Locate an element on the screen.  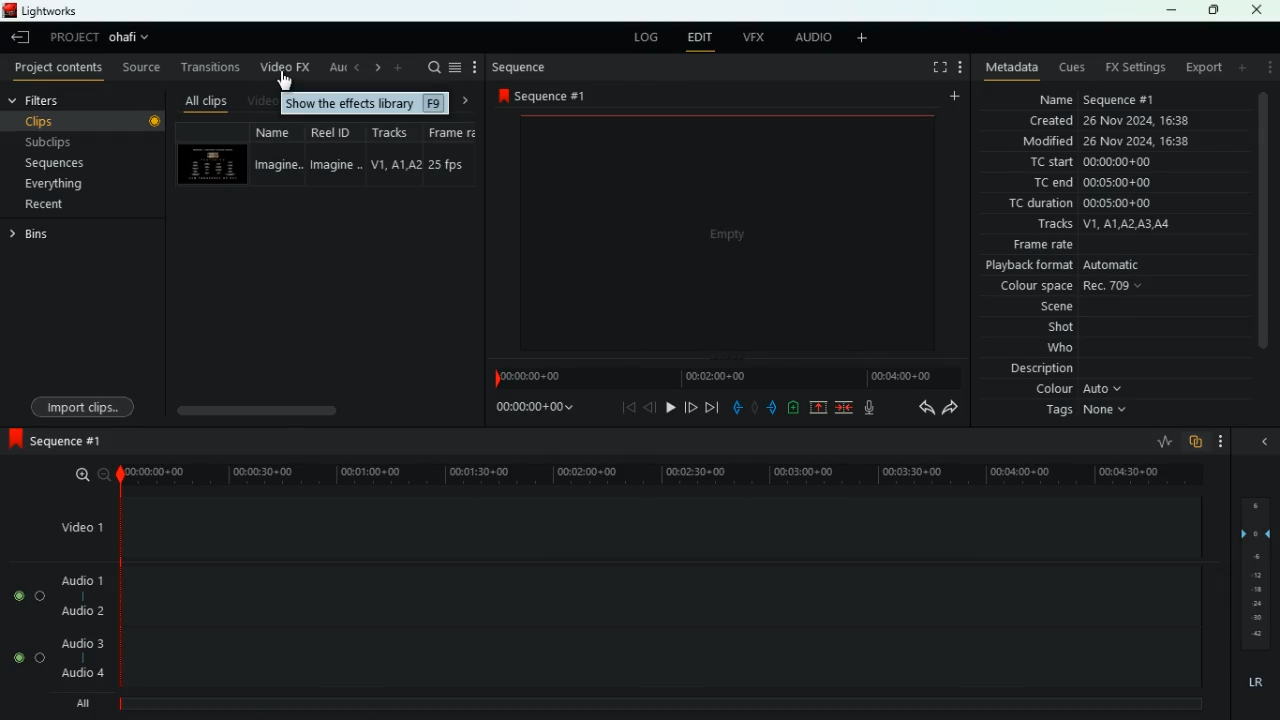
transitions is located at coordinates (209, 67).